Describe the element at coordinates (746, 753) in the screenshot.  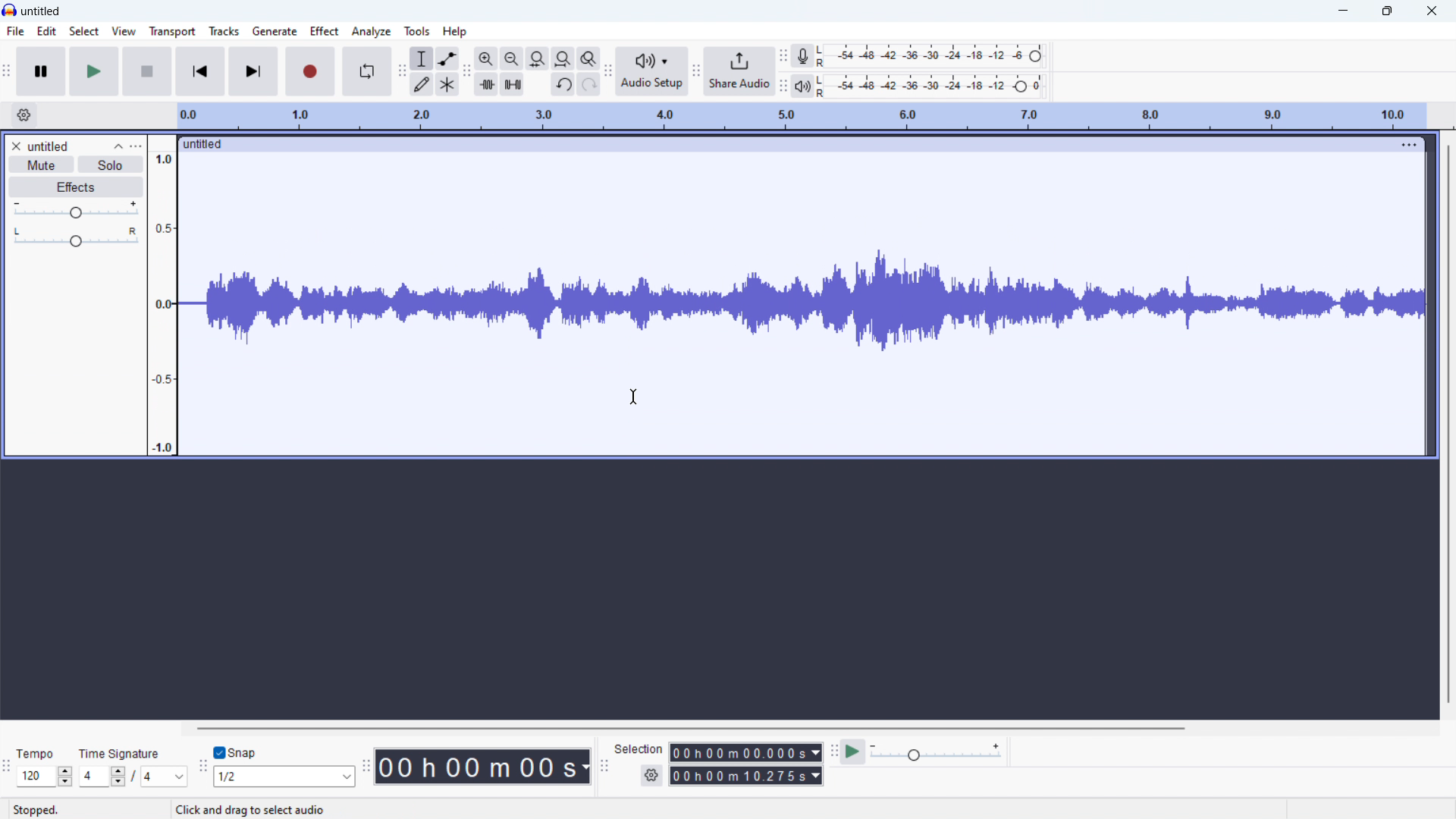
I see `start time` at that location.